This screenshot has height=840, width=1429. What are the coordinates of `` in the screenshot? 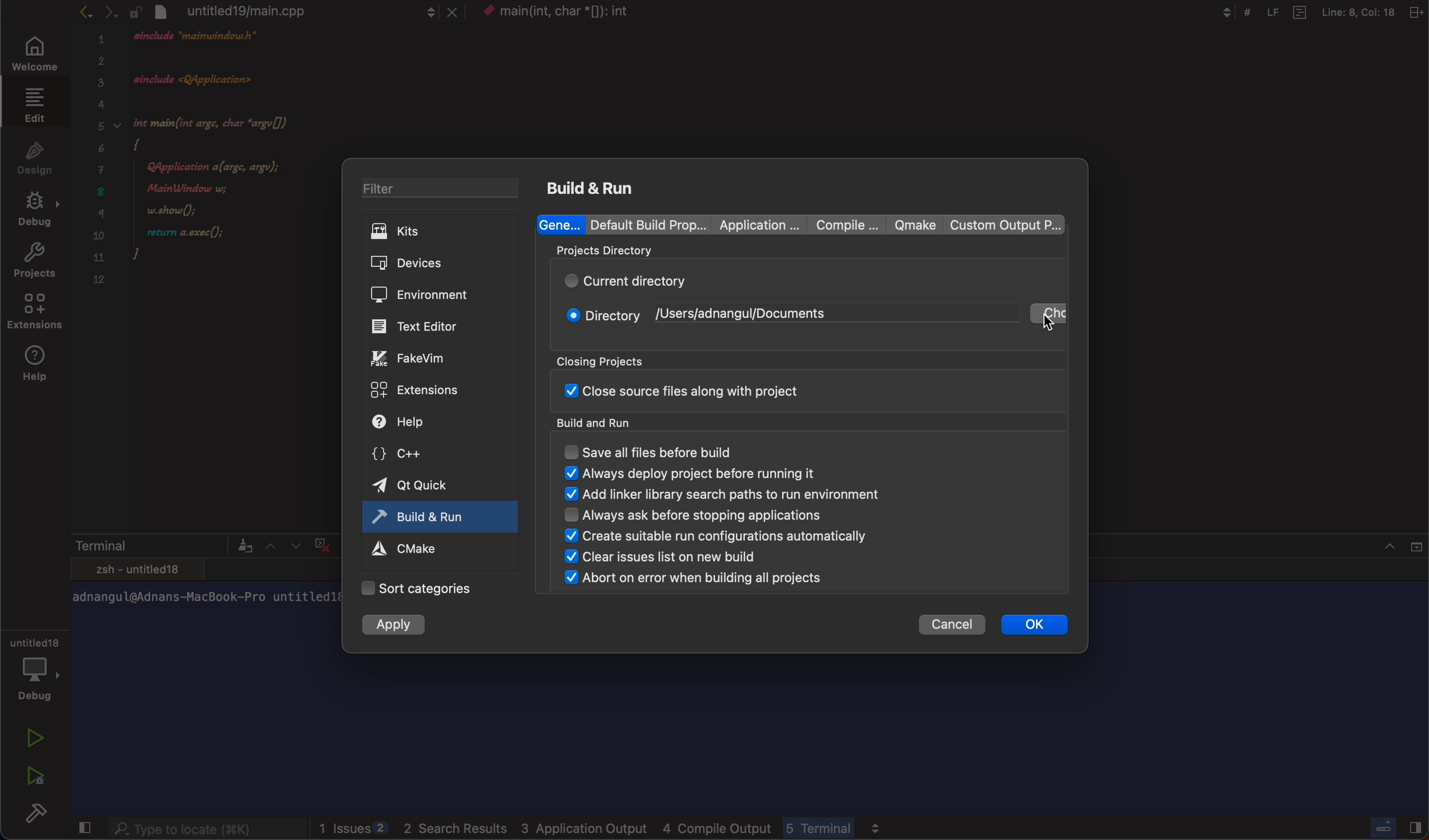 It's located at (1313, 11).